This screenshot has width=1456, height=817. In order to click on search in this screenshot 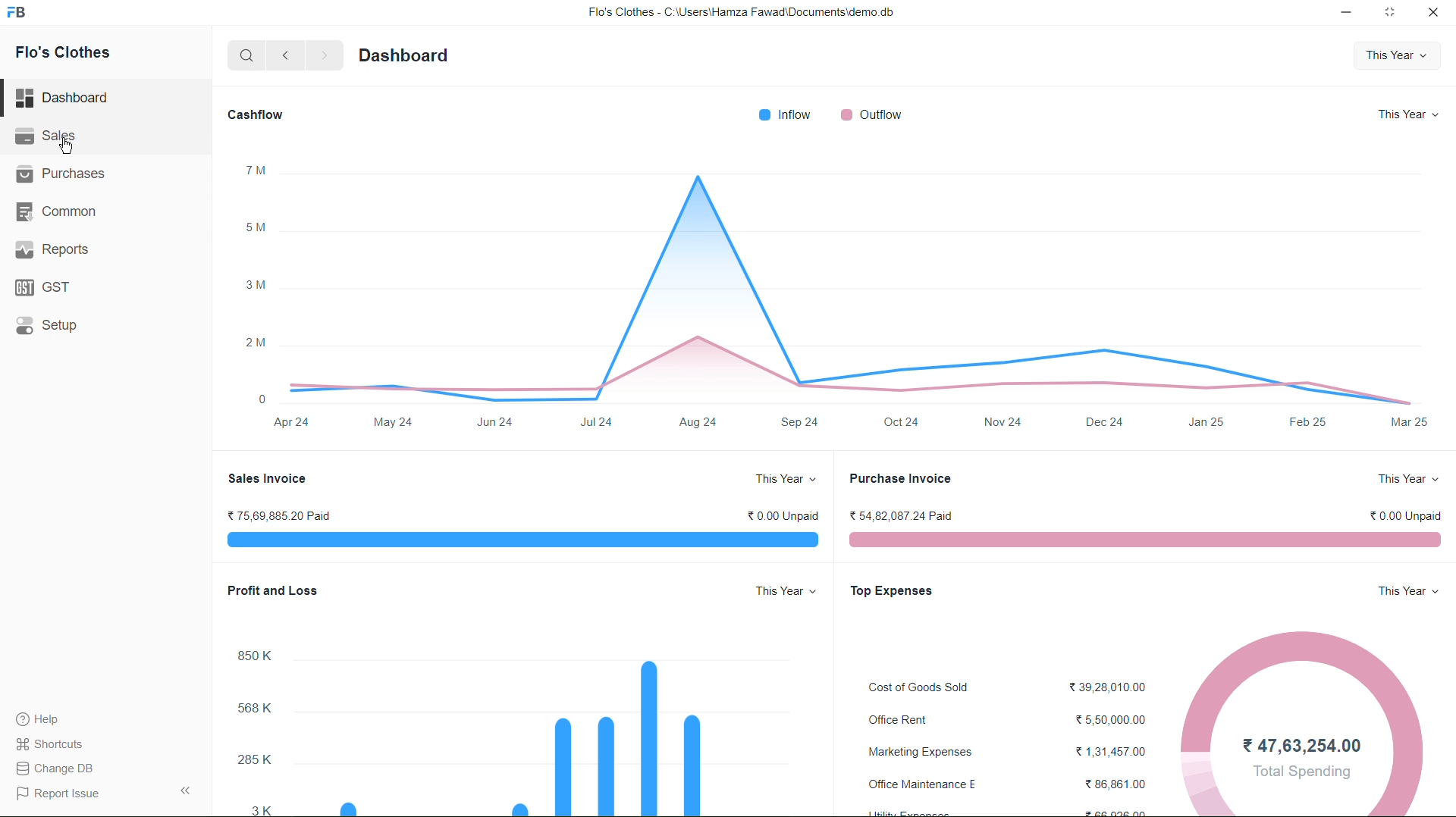, I will do `click(243, 55)`.